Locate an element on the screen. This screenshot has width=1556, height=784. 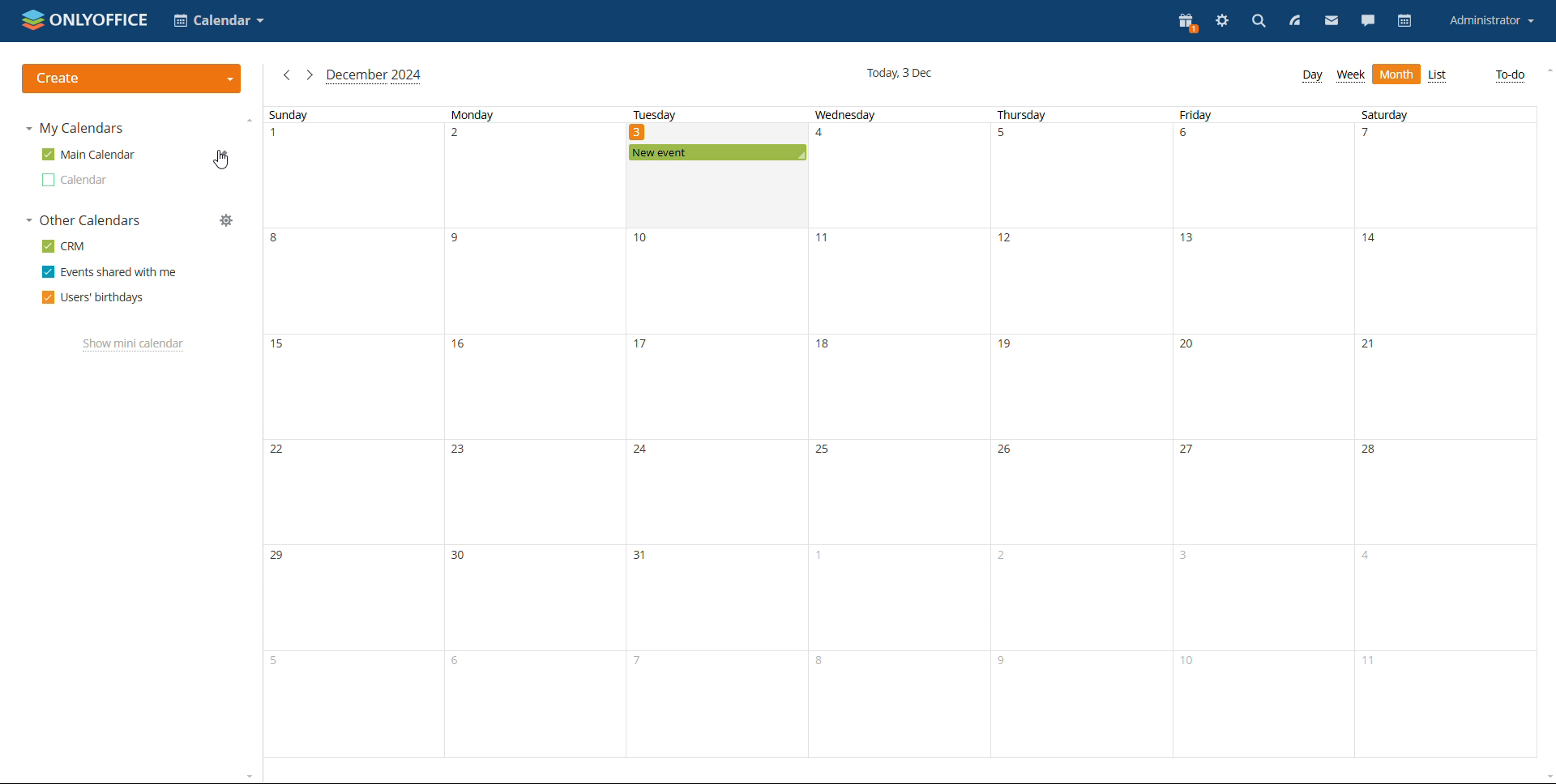
monday is located at coordinates (519, 114).